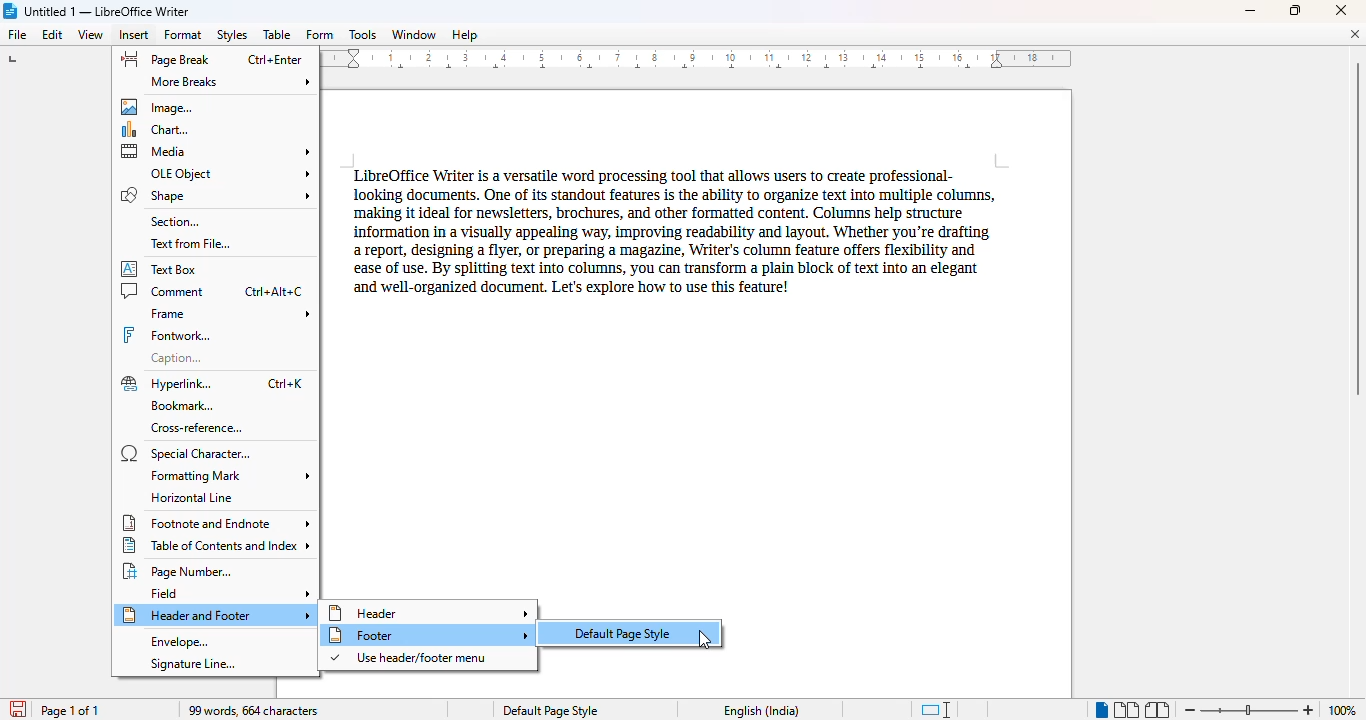  Describe the element at coordinates (1189, 708) in the screenshot. I see `zoomout` at that location.